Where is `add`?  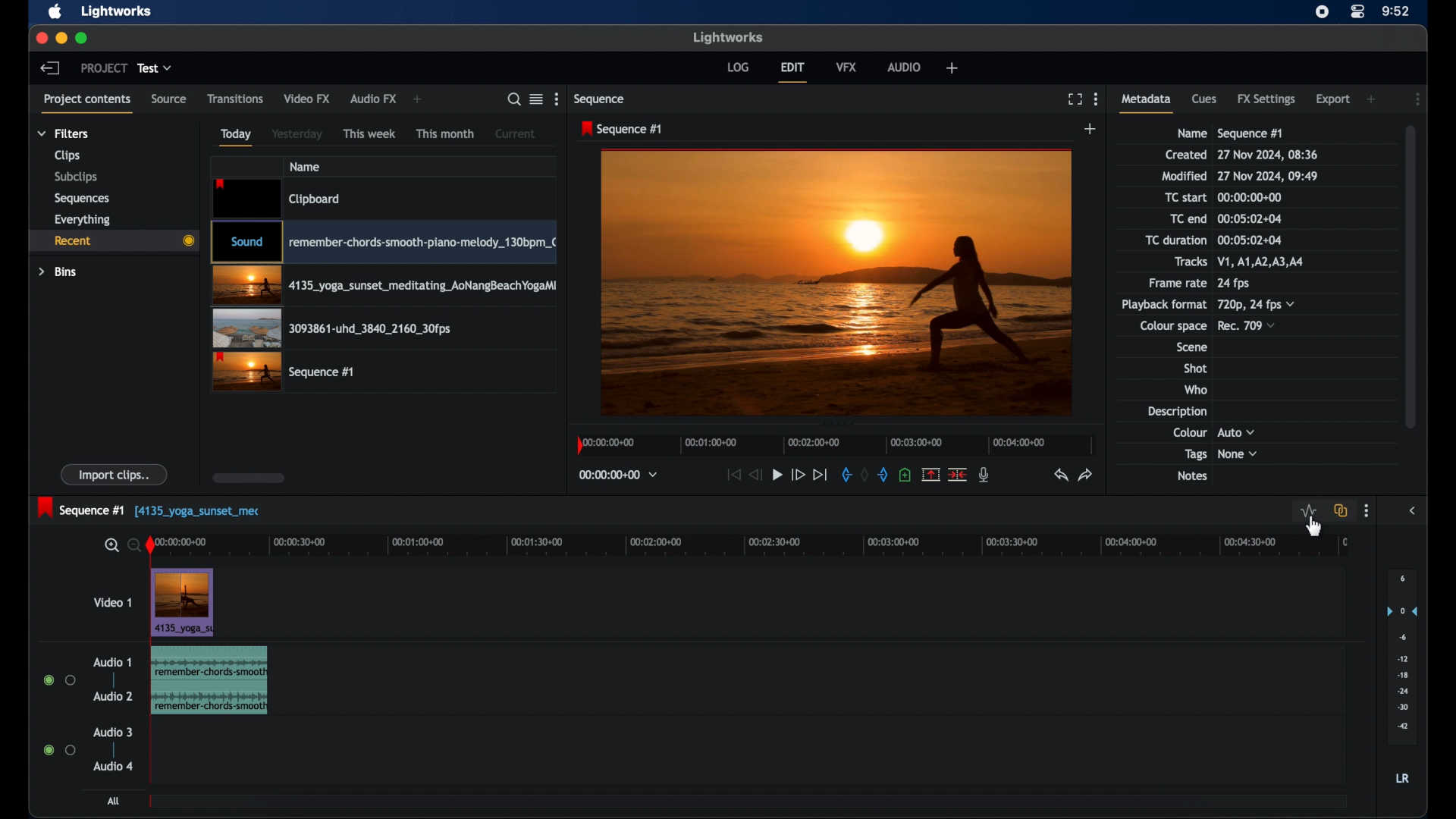 add is located at coordinates (1091, 128).